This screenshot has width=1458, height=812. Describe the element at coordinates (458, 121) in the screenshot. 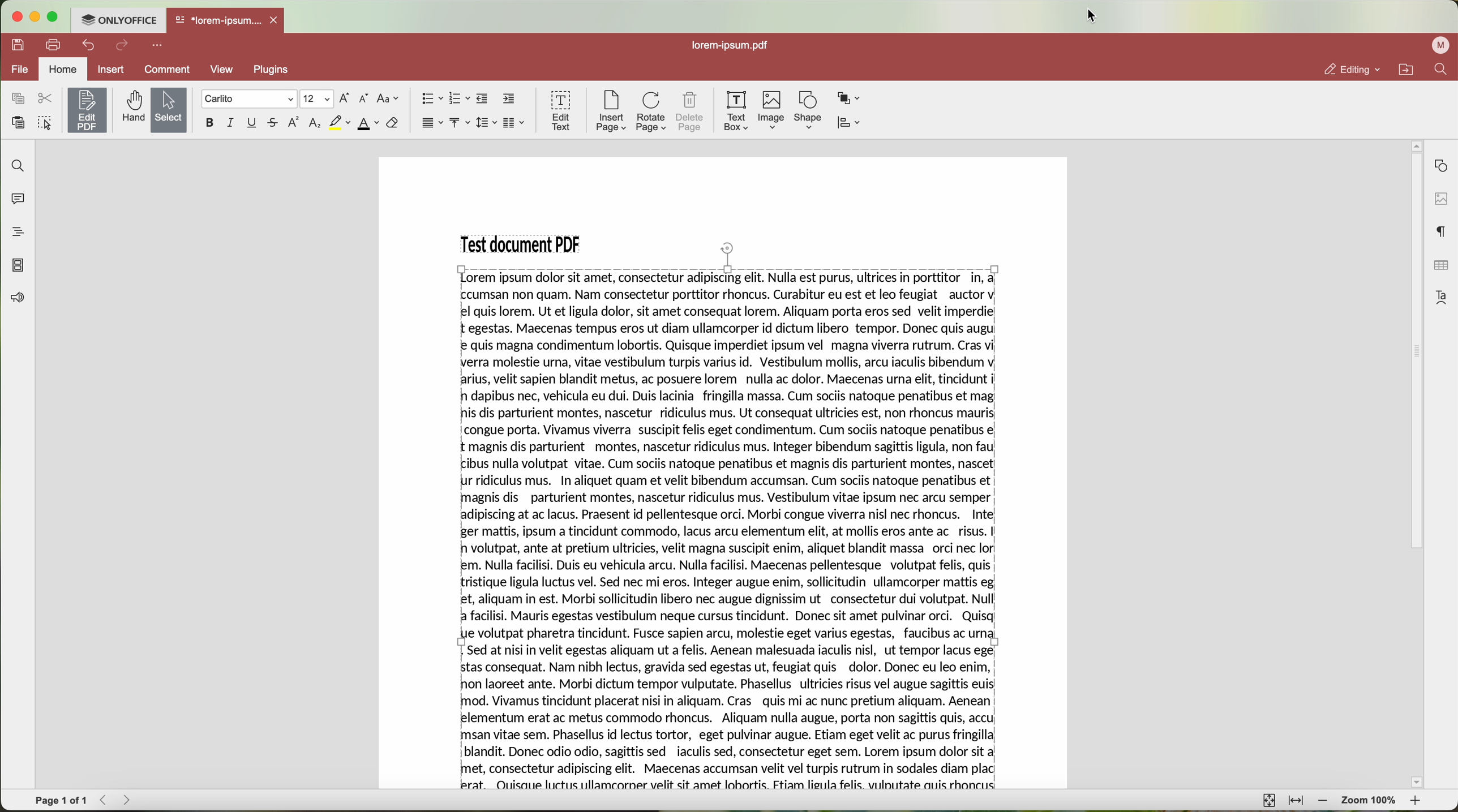

I see `vertical align` at that location.